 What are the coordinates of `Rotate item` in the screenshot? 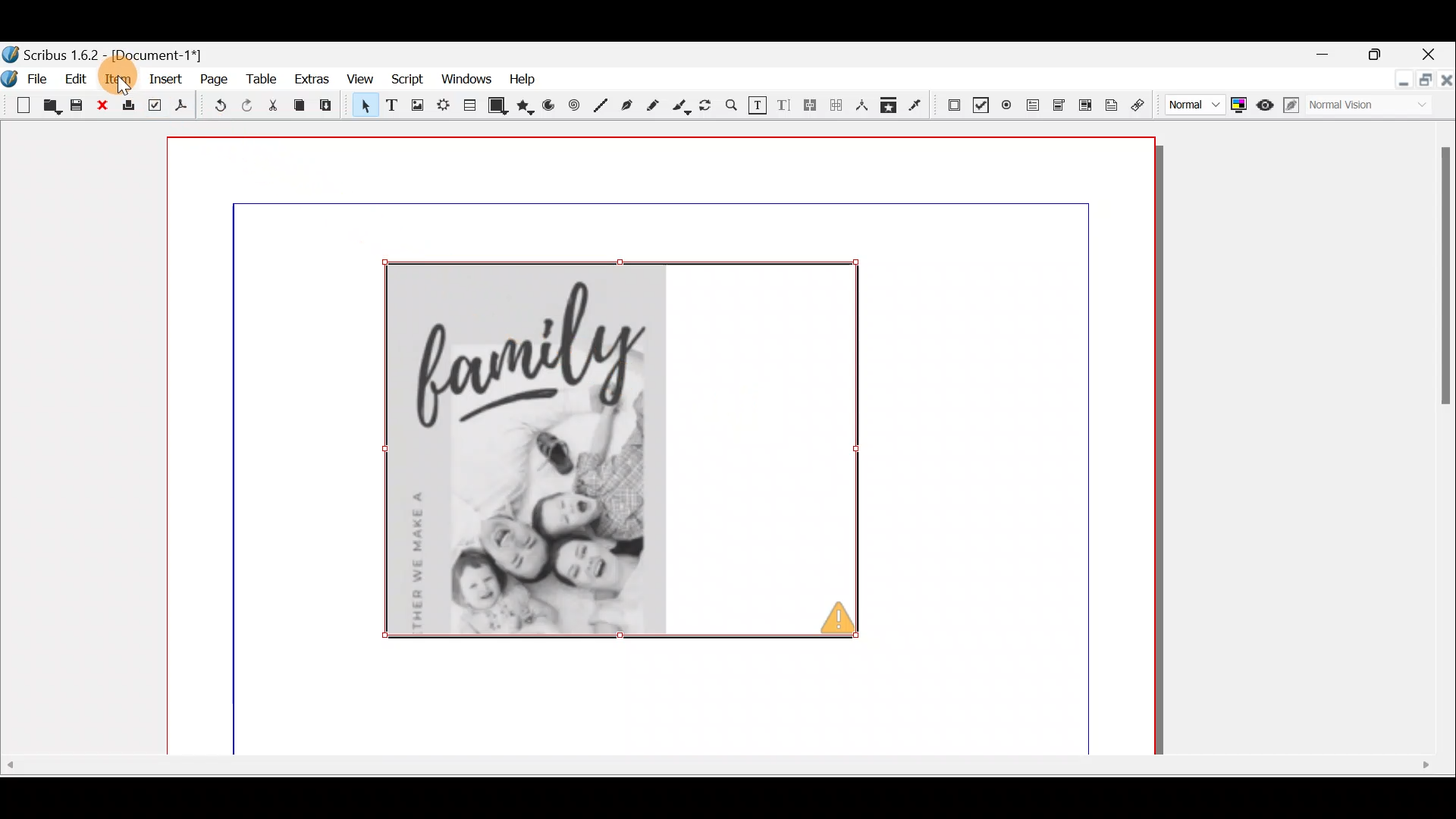 It's located at (708, 106).